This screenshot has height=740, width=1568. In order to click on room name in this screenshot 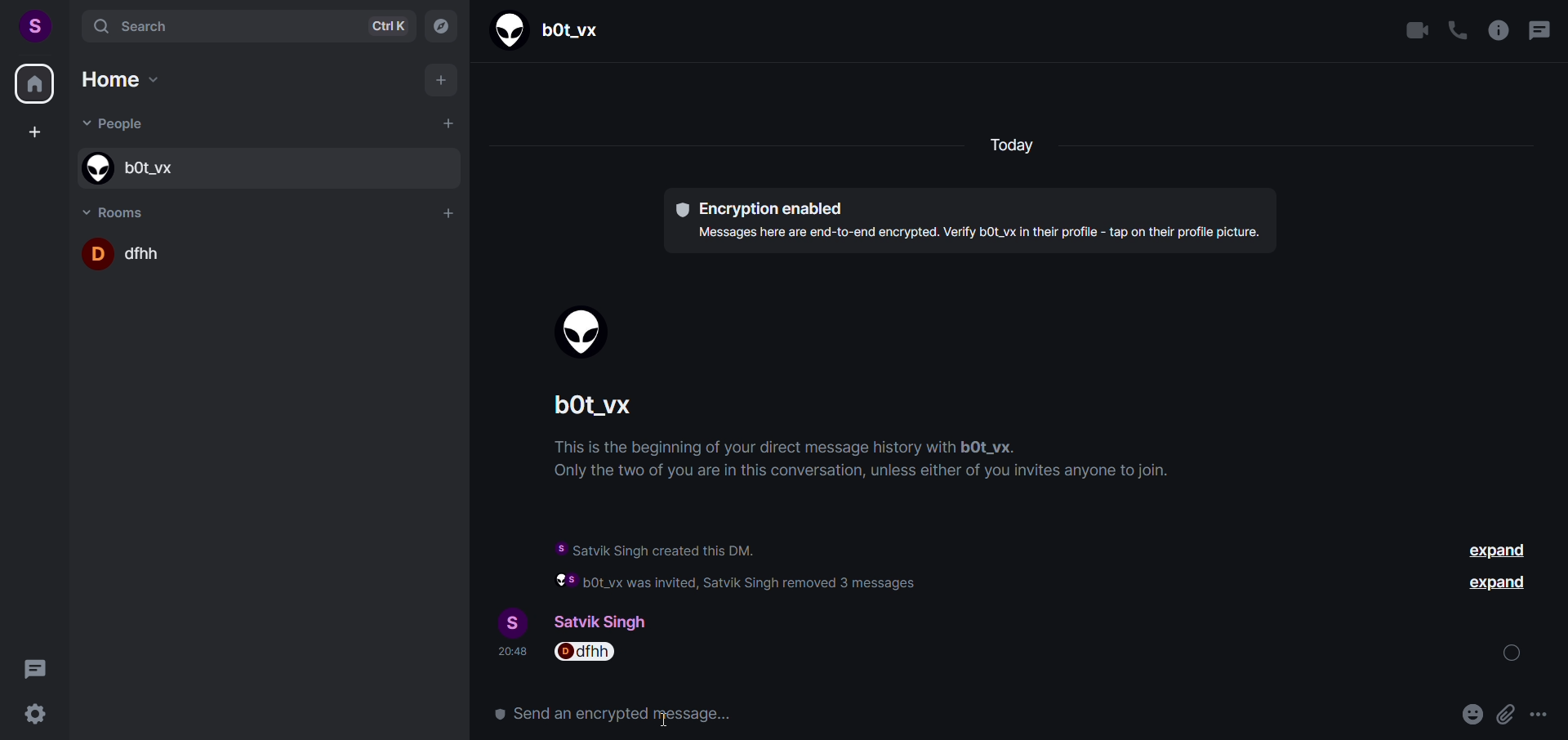, I will do `click(269, 253)`.